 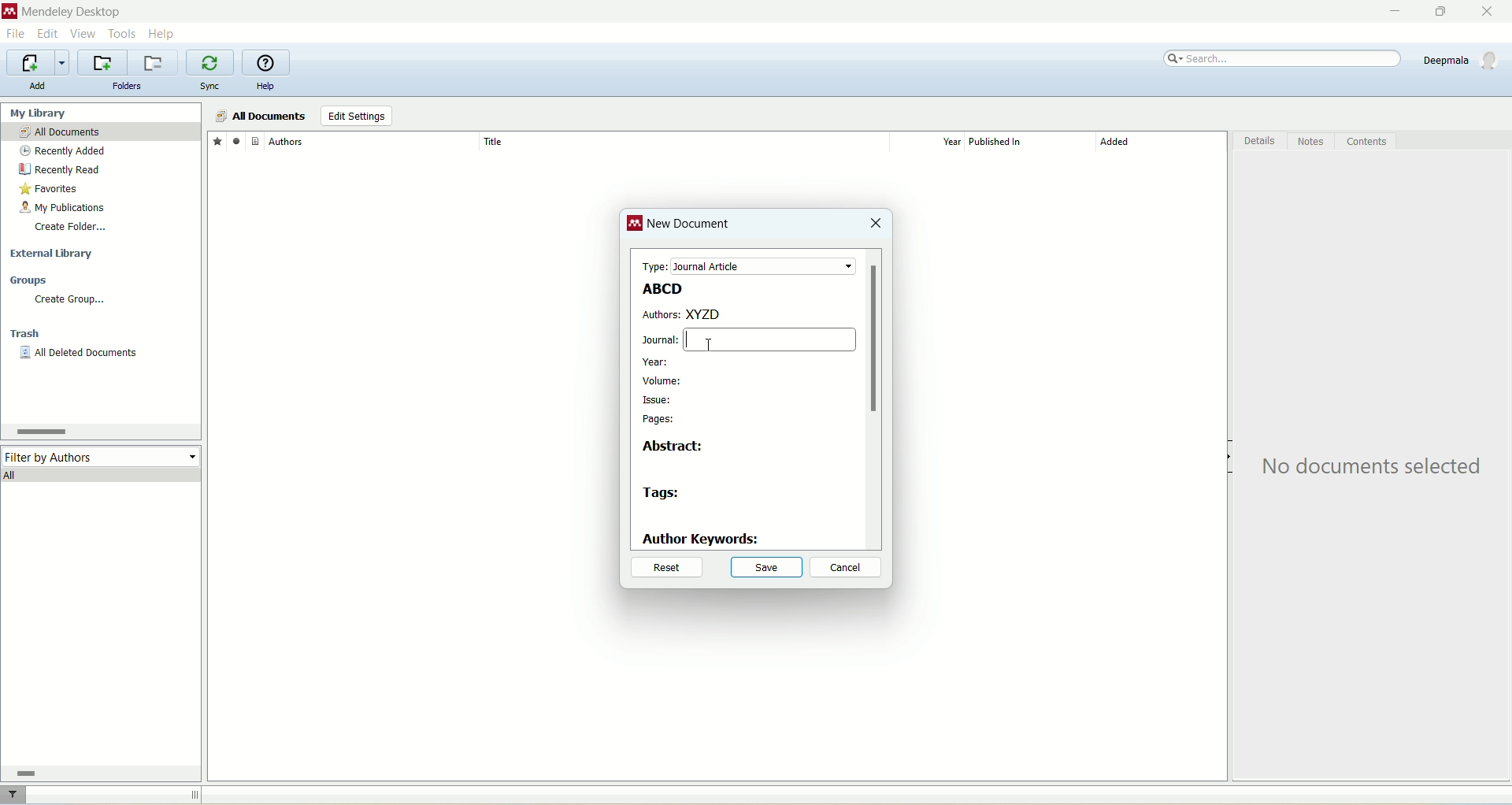 What do you see at coordinates (155, 62) in the screenshot?
I see `remove current folder` at bounding box center [155, 62].